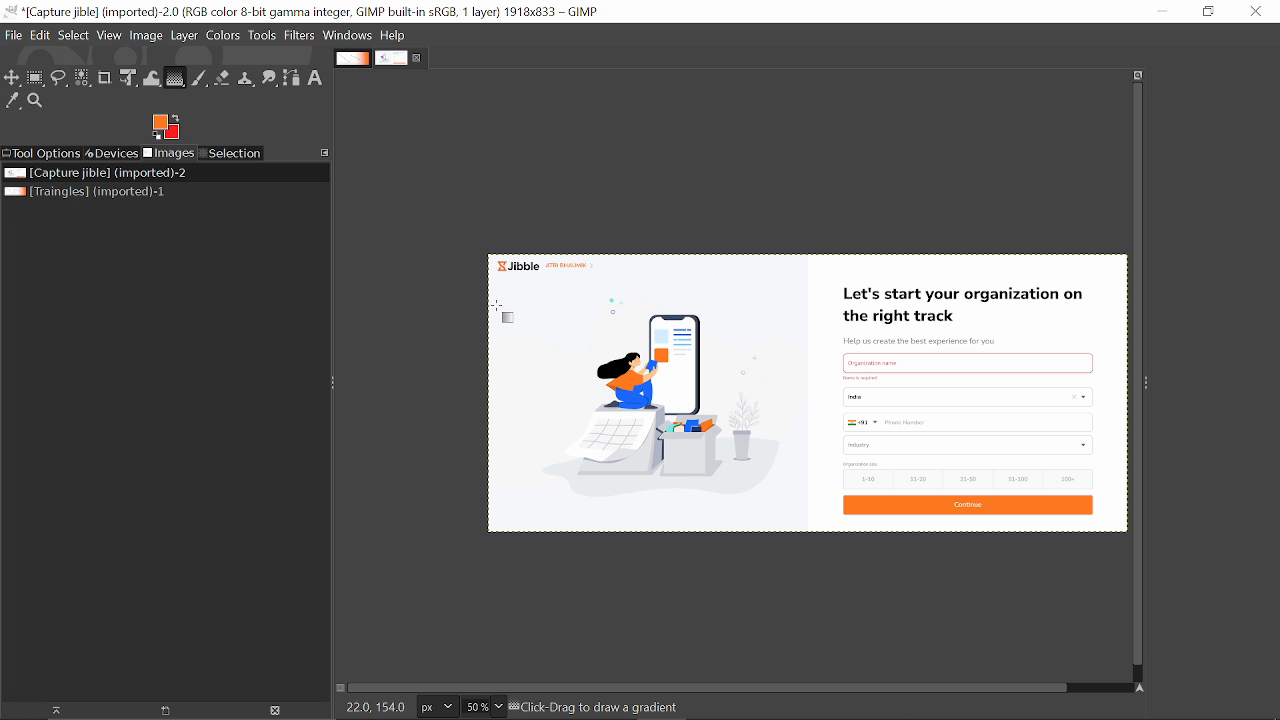 This screenshot has width=1280, height=720. Describe the element at coordinates (710, 689) in the screenshot. I see `Horizontal scrollbar` at that location.